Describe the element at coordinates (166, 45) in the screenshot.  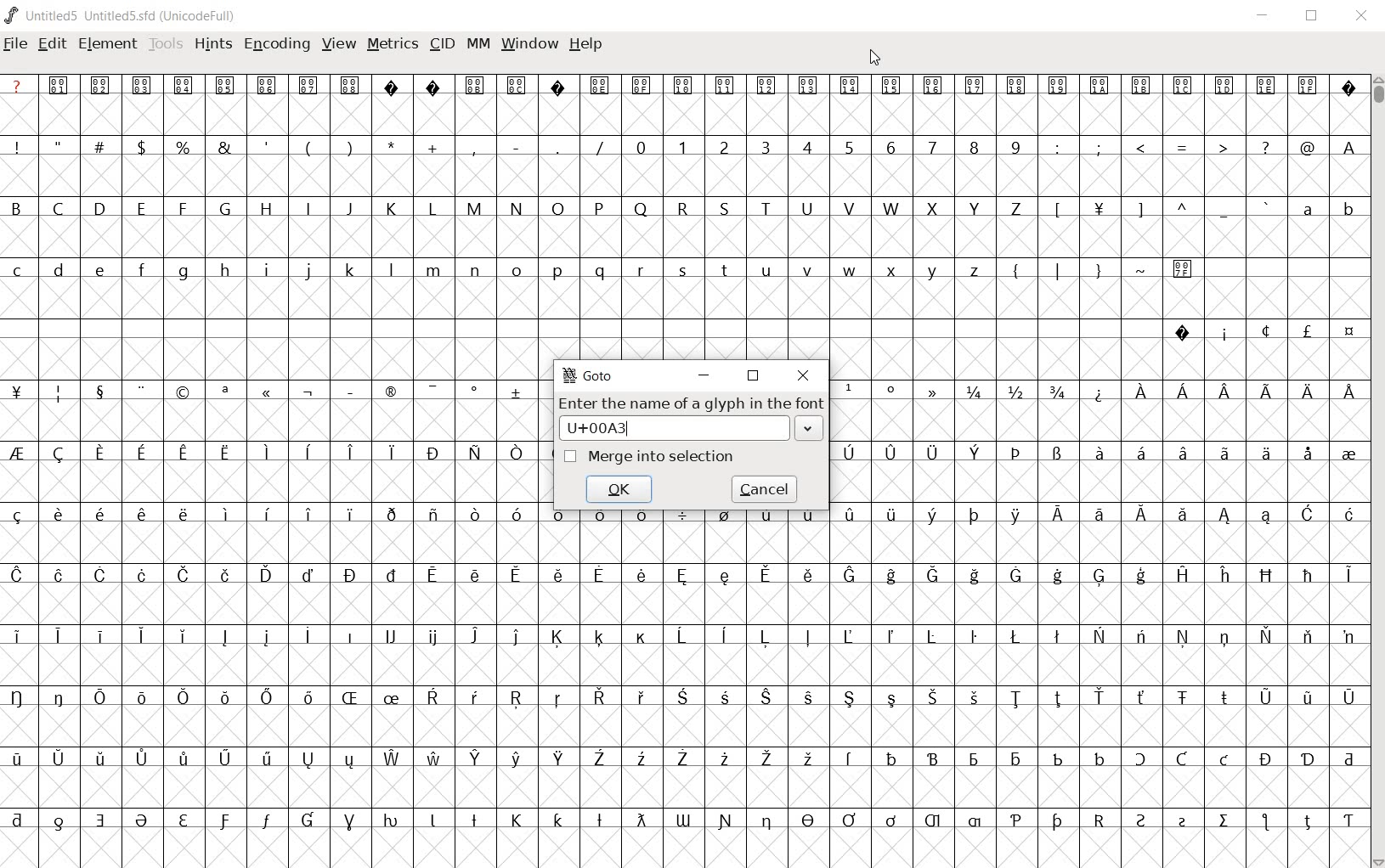
I see `Tools` at that location.